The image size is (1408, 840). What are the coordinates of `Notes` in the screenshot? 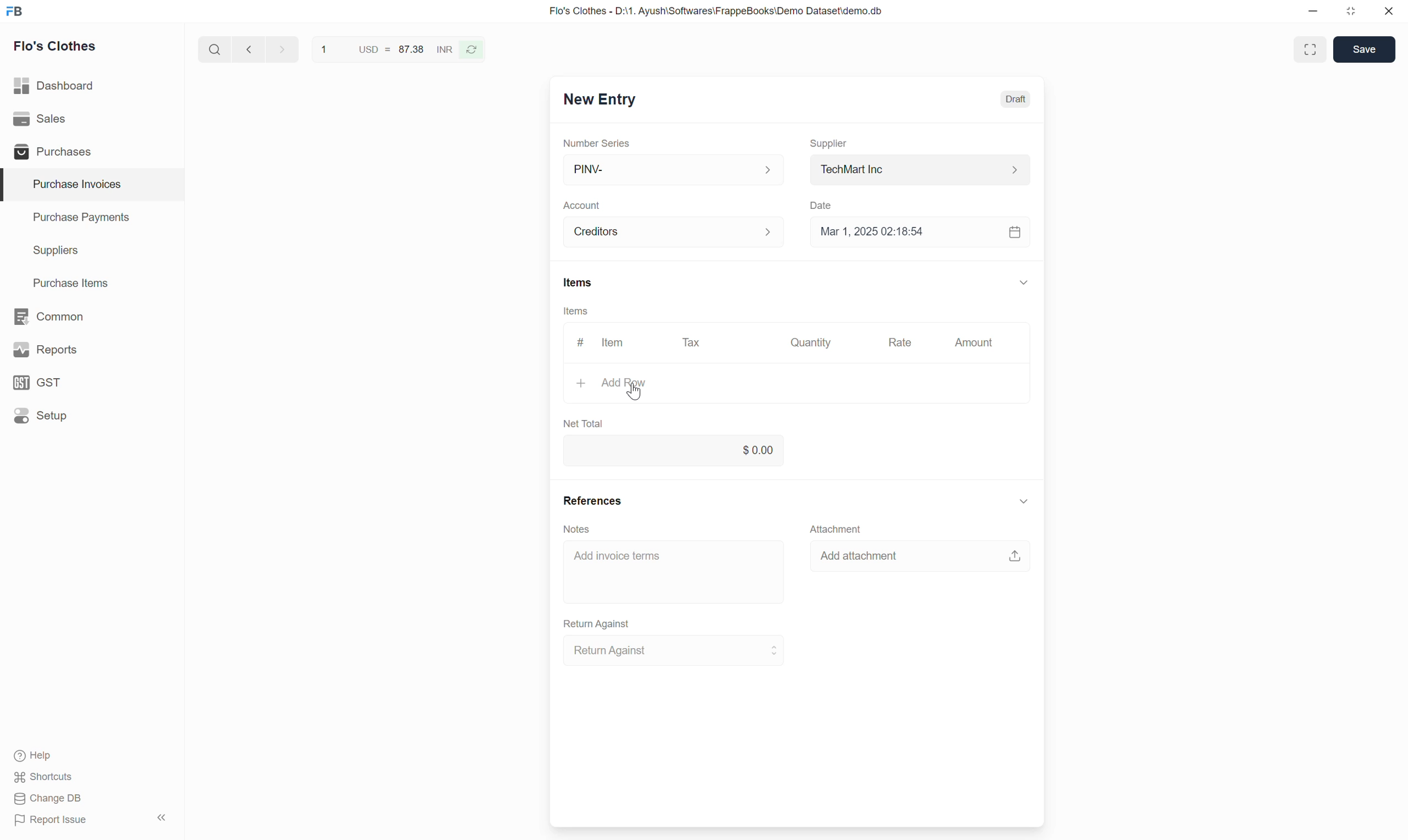 It's located at (576, 529).